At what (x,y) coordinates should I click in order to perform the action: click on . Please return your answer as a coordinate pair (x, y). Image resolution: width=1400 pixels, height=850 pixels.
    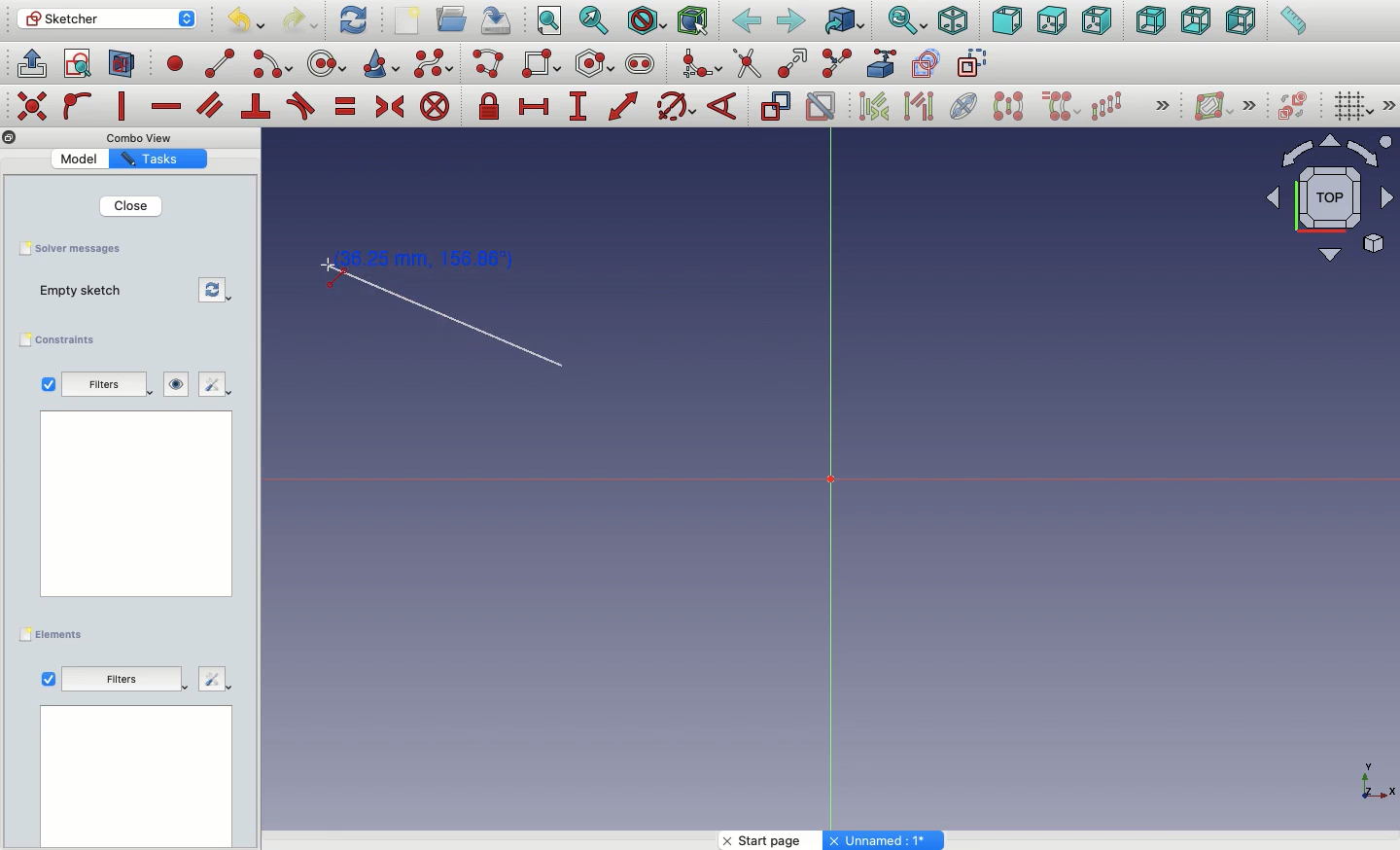
    Looking at the image, I should click on (1389, 105).